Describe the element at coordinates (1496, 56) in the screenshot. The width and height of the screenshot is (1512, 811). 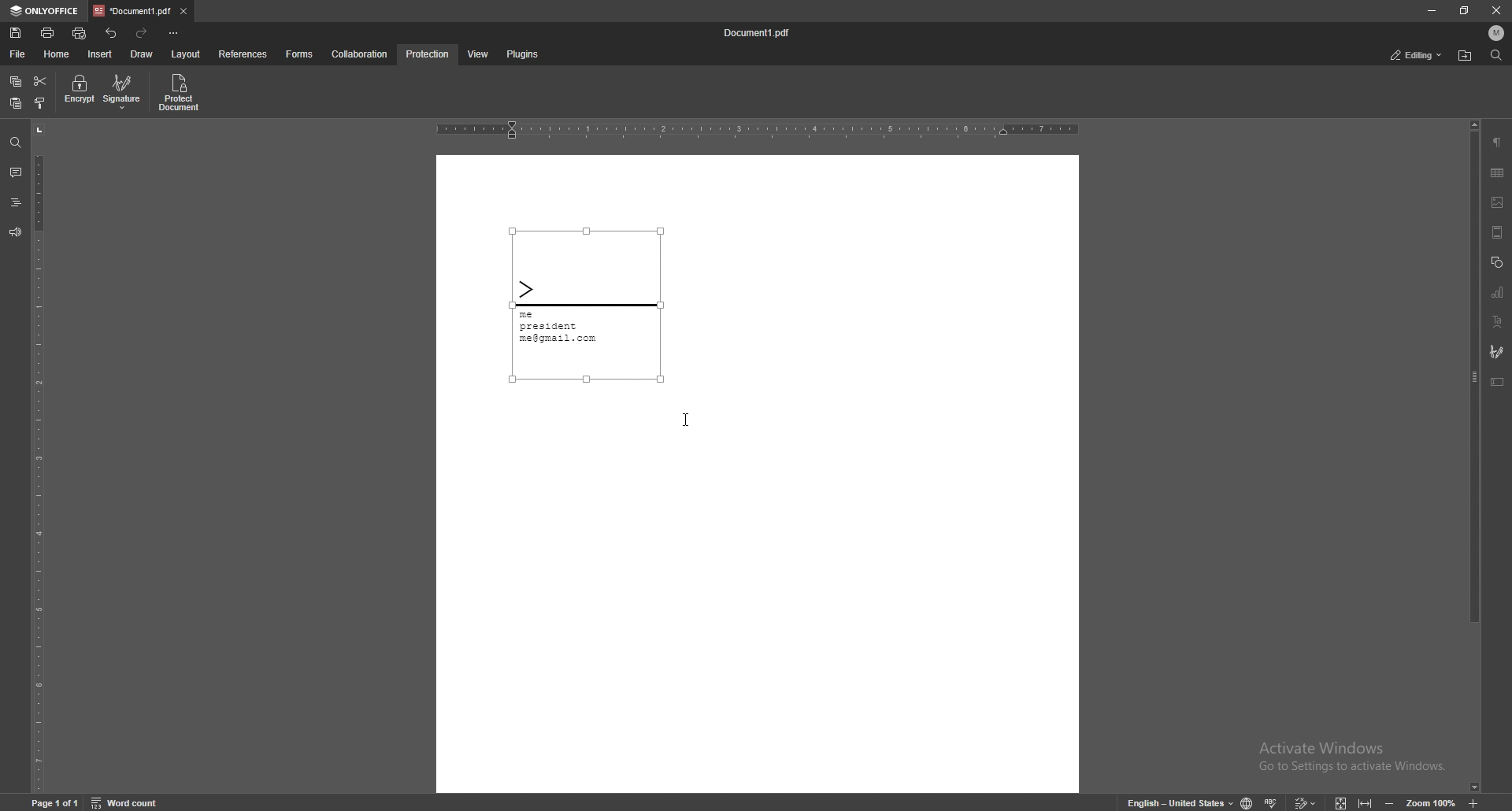
I see `find` at that location.